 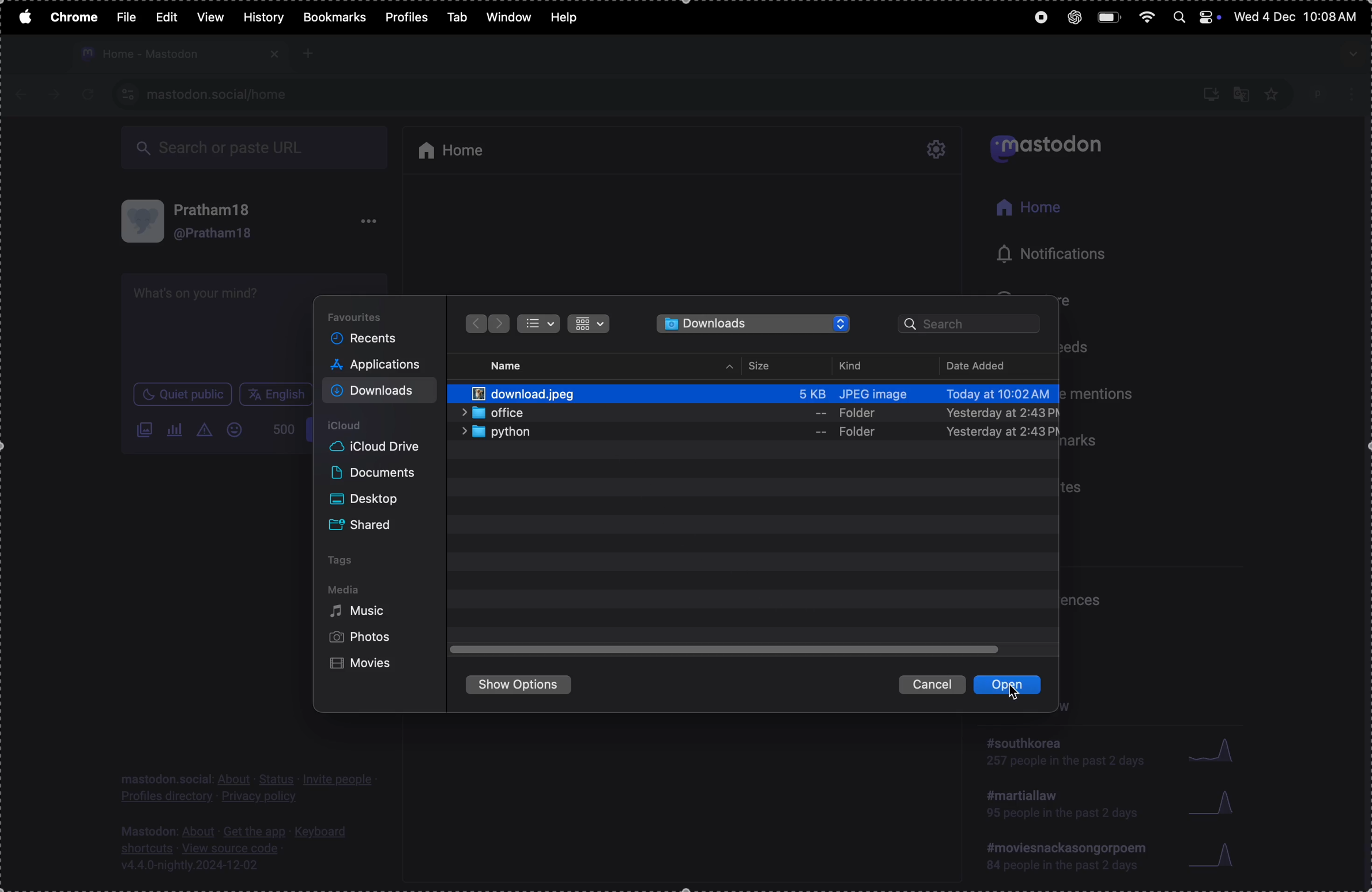 What do you see at coordinates (209, 17) in the screenshot?
I see `View` at bounding box center [209, 17].